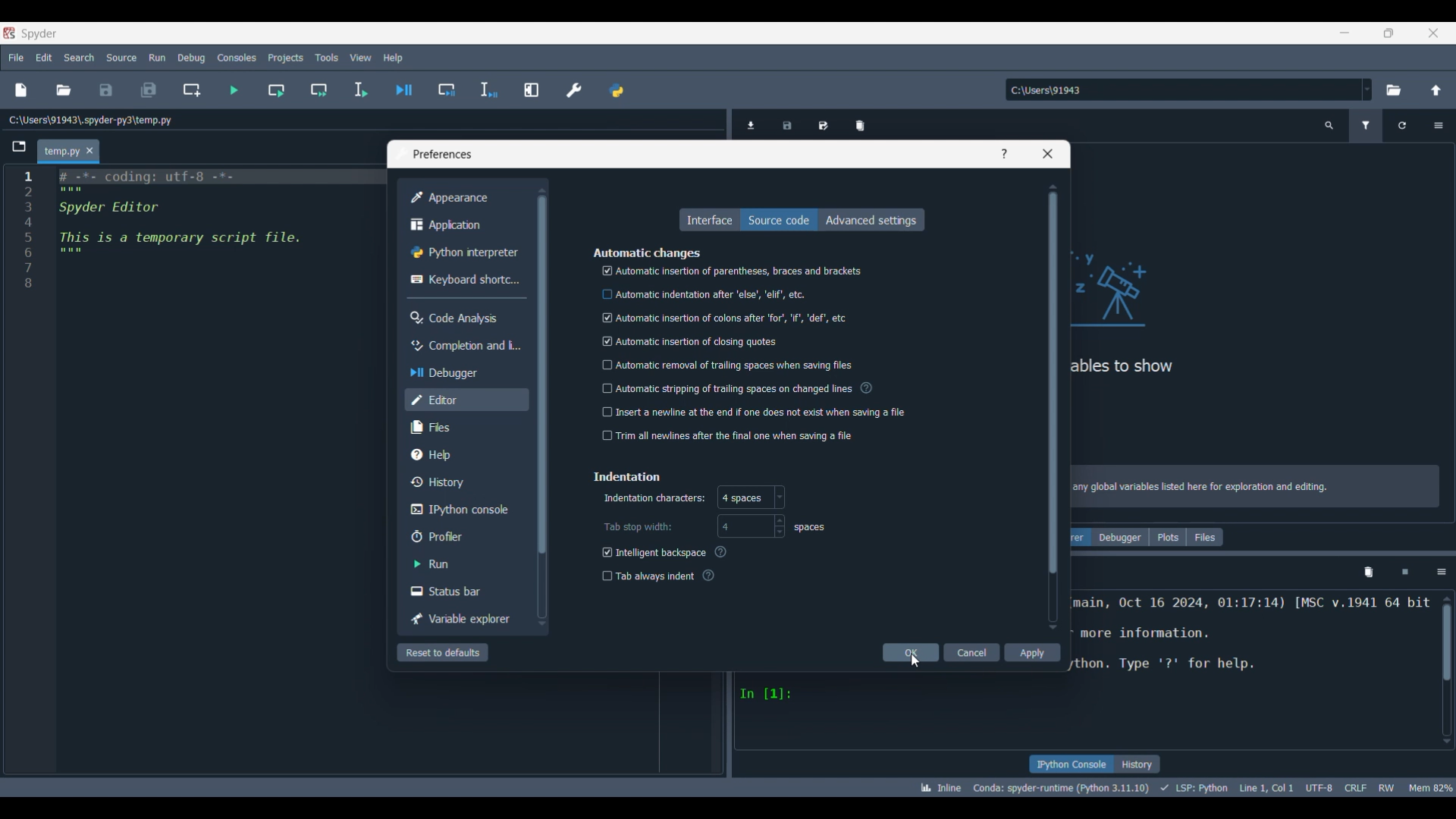 Image resolution: width=1456 pixels, height=819 pixels. I want to click on Increase/Decrease width, so click(779, 526).